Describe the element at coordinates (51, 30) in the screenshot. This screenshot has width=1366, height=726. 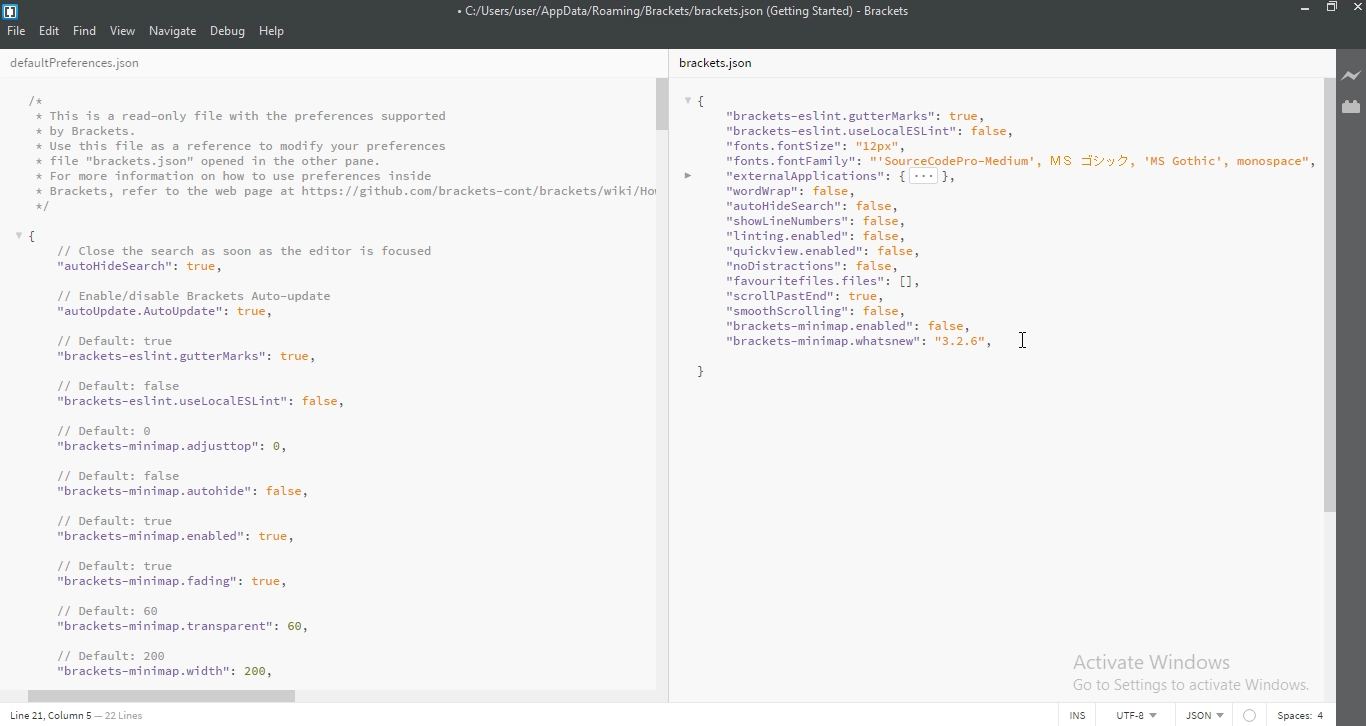
I see `Edit` at that location.